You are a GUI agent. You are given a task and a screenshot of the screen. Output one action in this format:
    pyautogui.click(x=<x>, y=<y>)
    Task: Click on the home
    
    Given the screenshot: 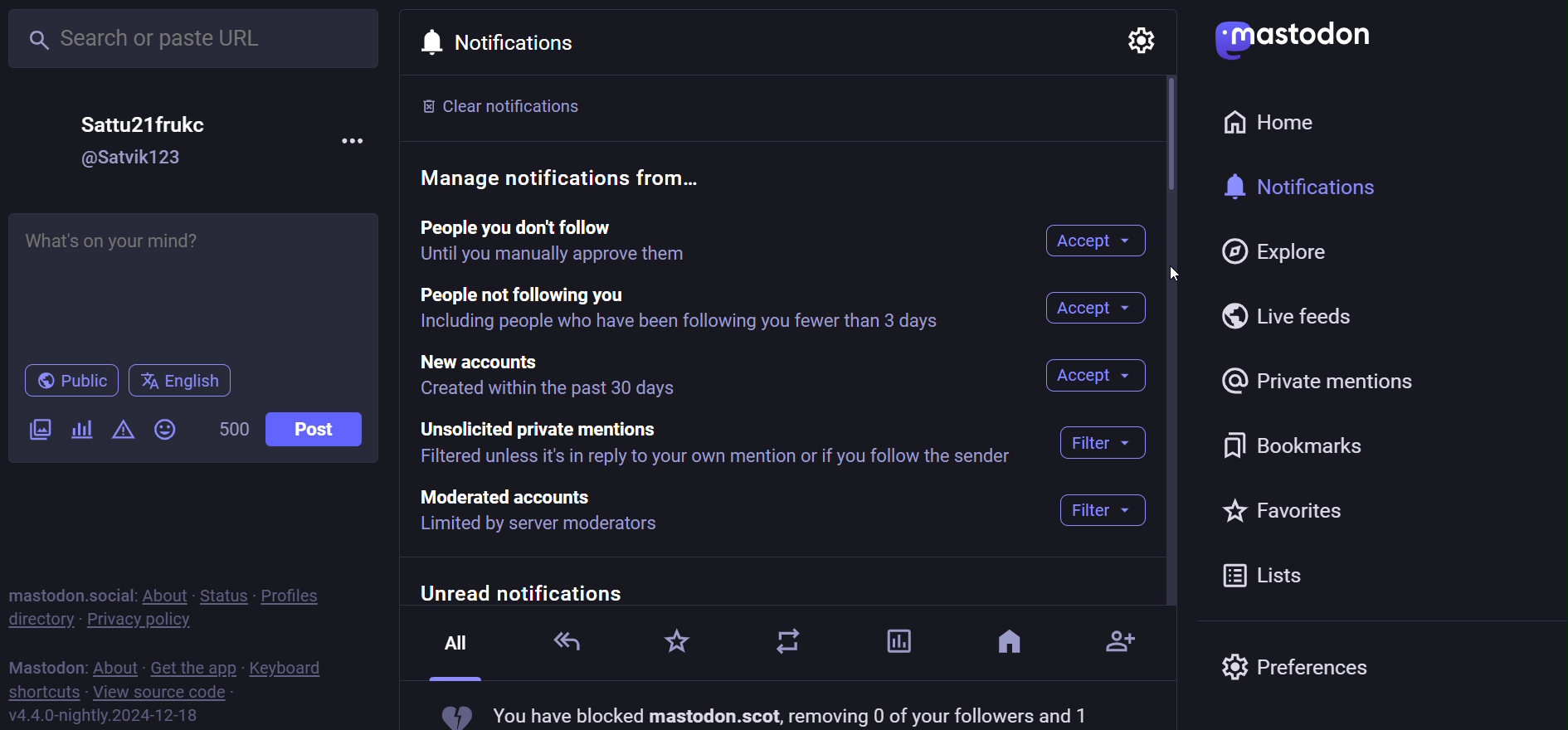 What is the action you would take?
    pyautogui.click(x=1010, y=646)
    